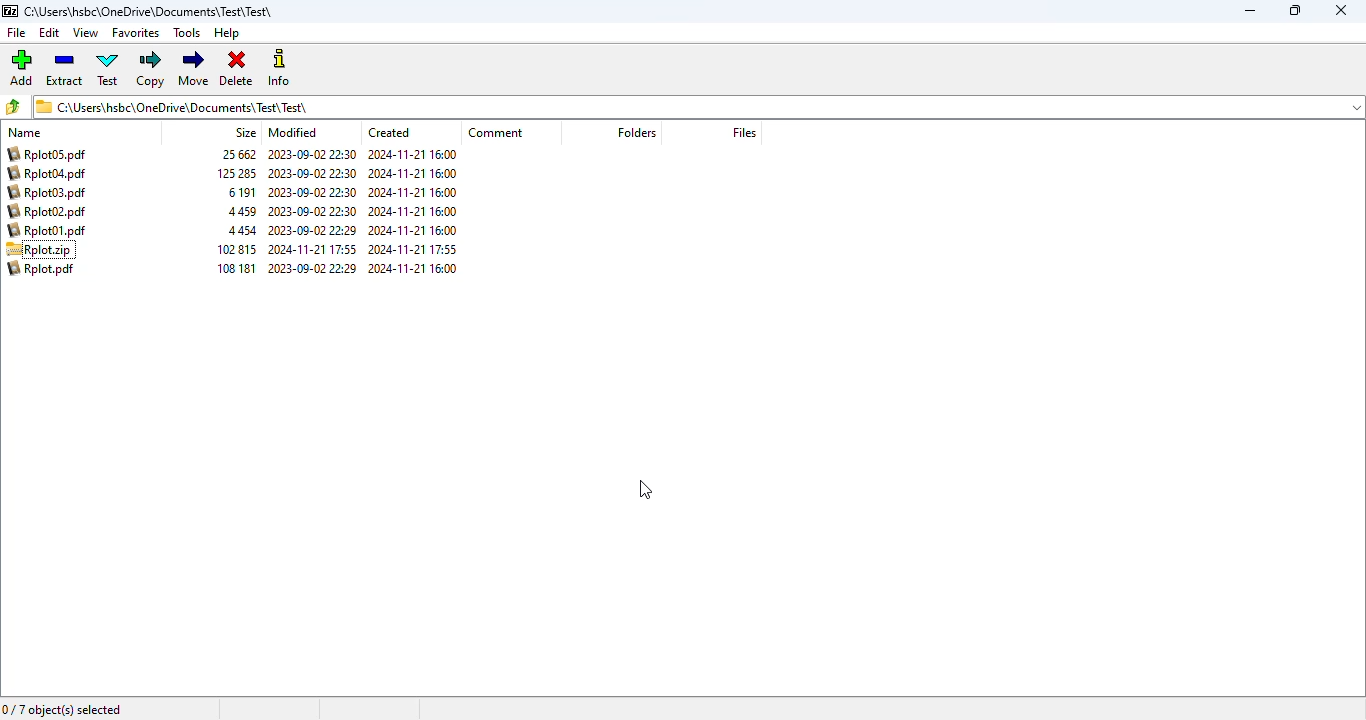  What do you see at coordinates (636, 132) in the screenshot?
I see `folders` at bounding box center [636, 132].